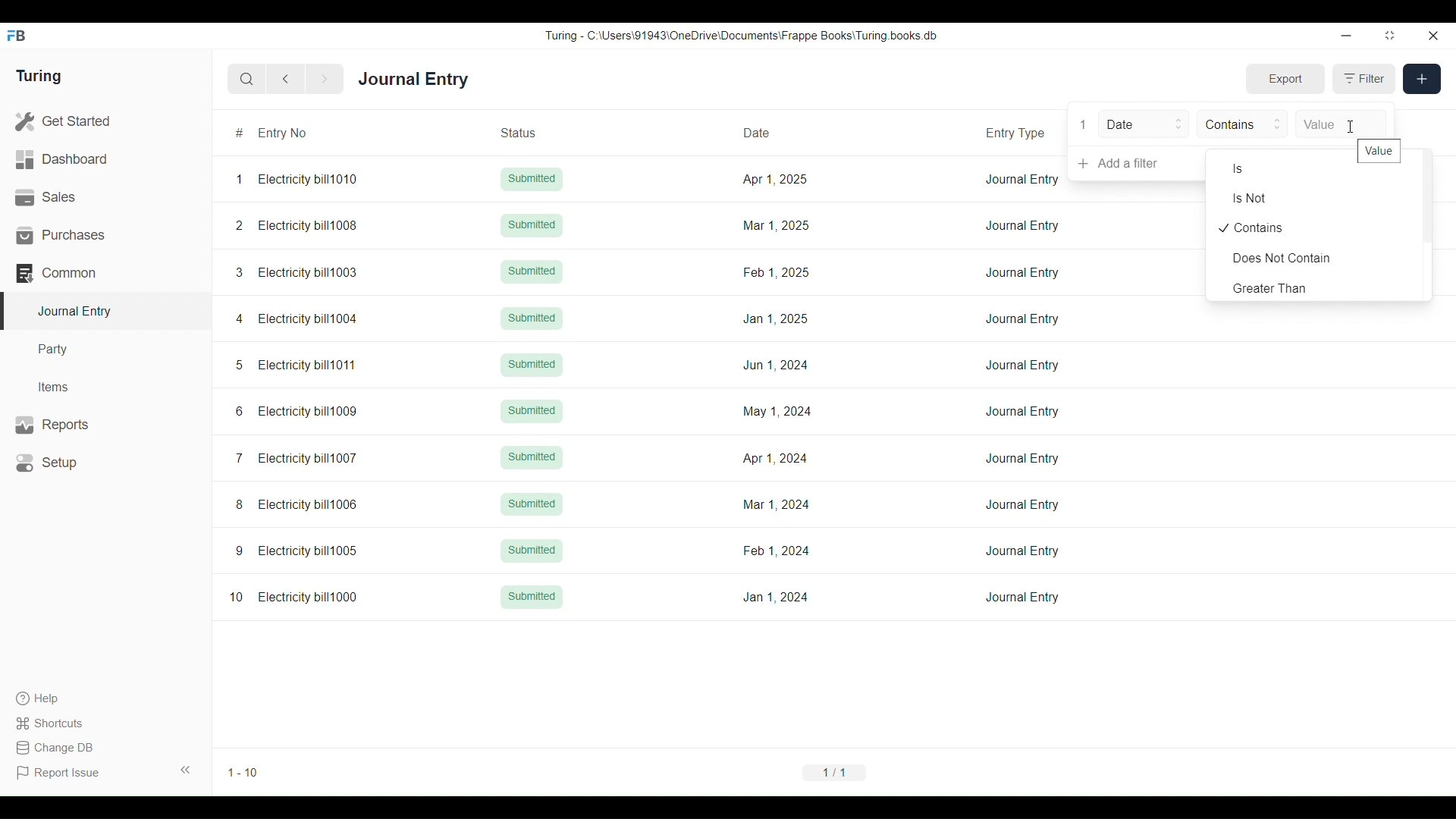 The height and width of the screenshot is (819, 1456). Describe the element at coordinates (107, 425) in the screenshot. I see `Reports` at that location.